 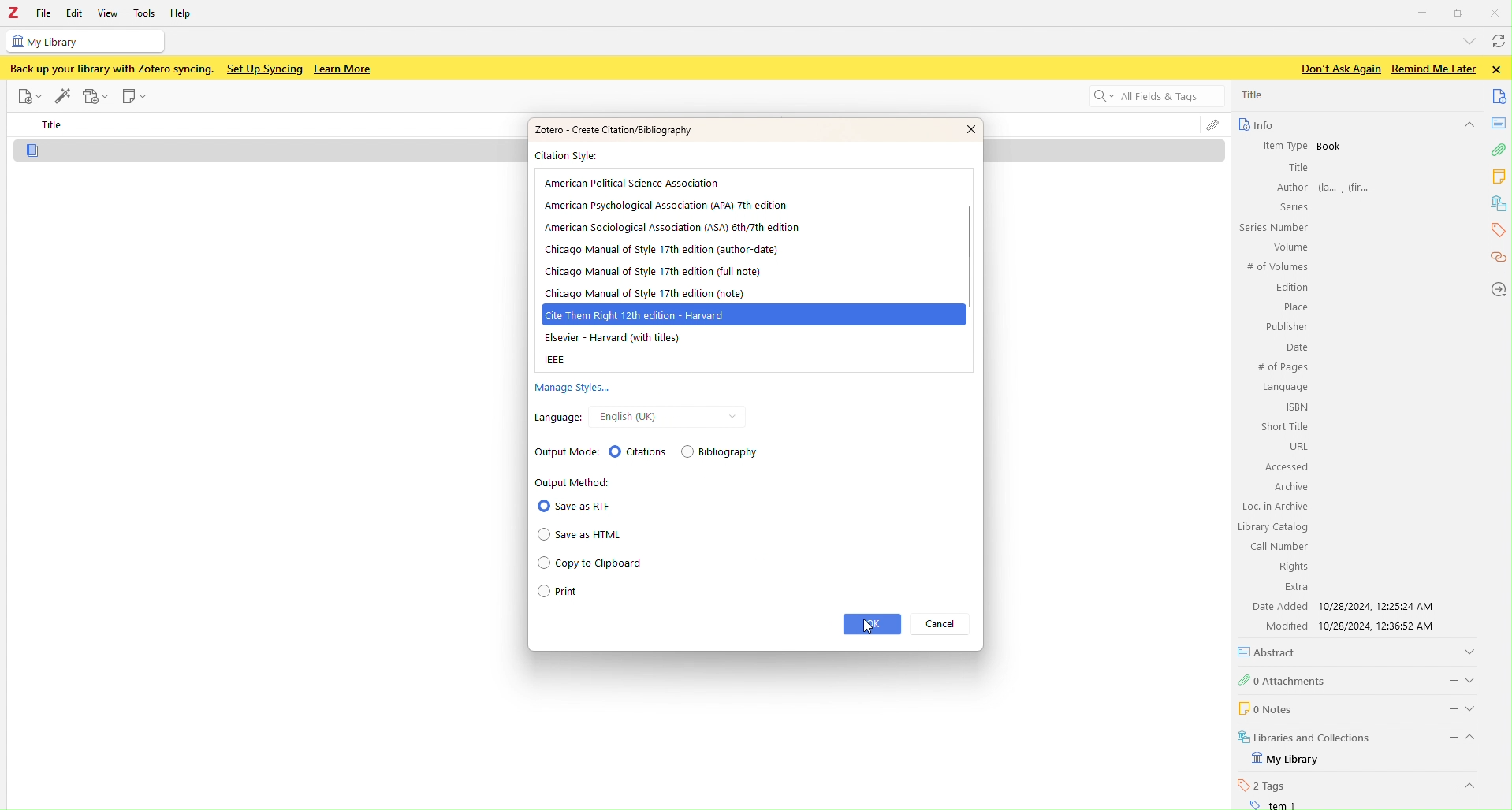 I want to click on cursor, so click(x=864, y=626).